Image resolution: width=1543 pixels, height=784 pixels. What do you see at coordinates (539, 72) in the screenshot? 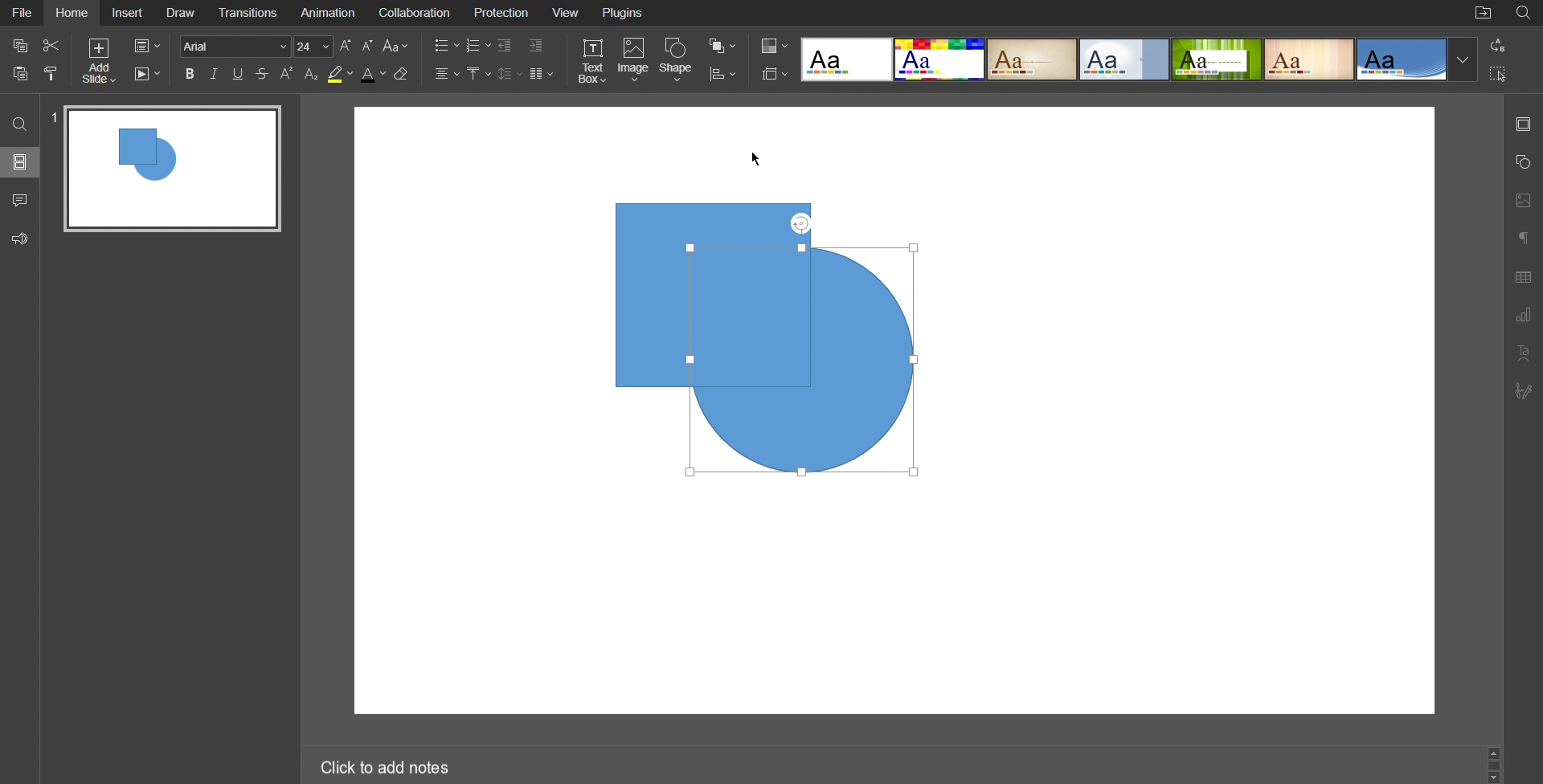
I see `Columns` at bounding box center [539, 72].